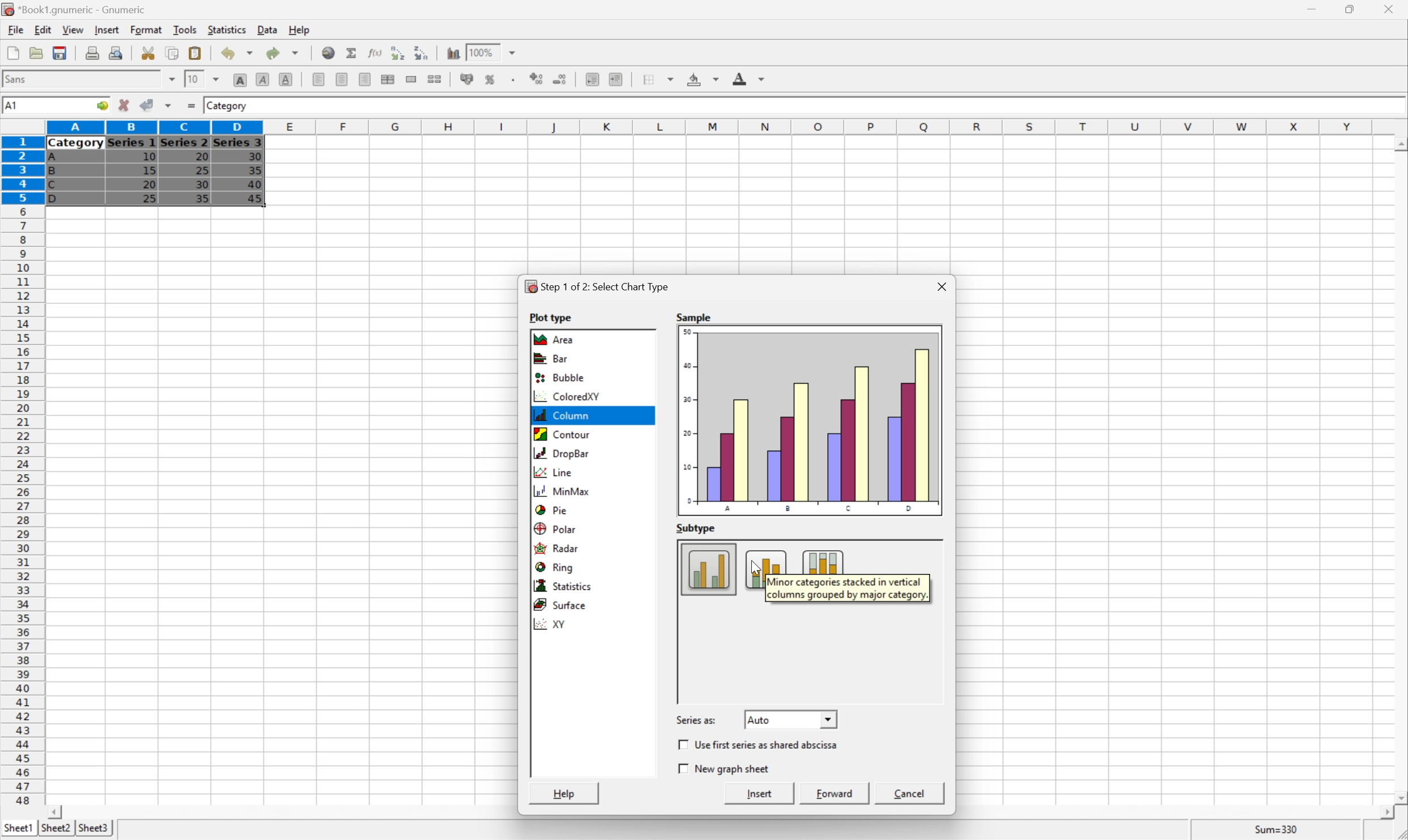  Describe the element at coordinates (52, 172) in the screenshot. I see `B` at that location.